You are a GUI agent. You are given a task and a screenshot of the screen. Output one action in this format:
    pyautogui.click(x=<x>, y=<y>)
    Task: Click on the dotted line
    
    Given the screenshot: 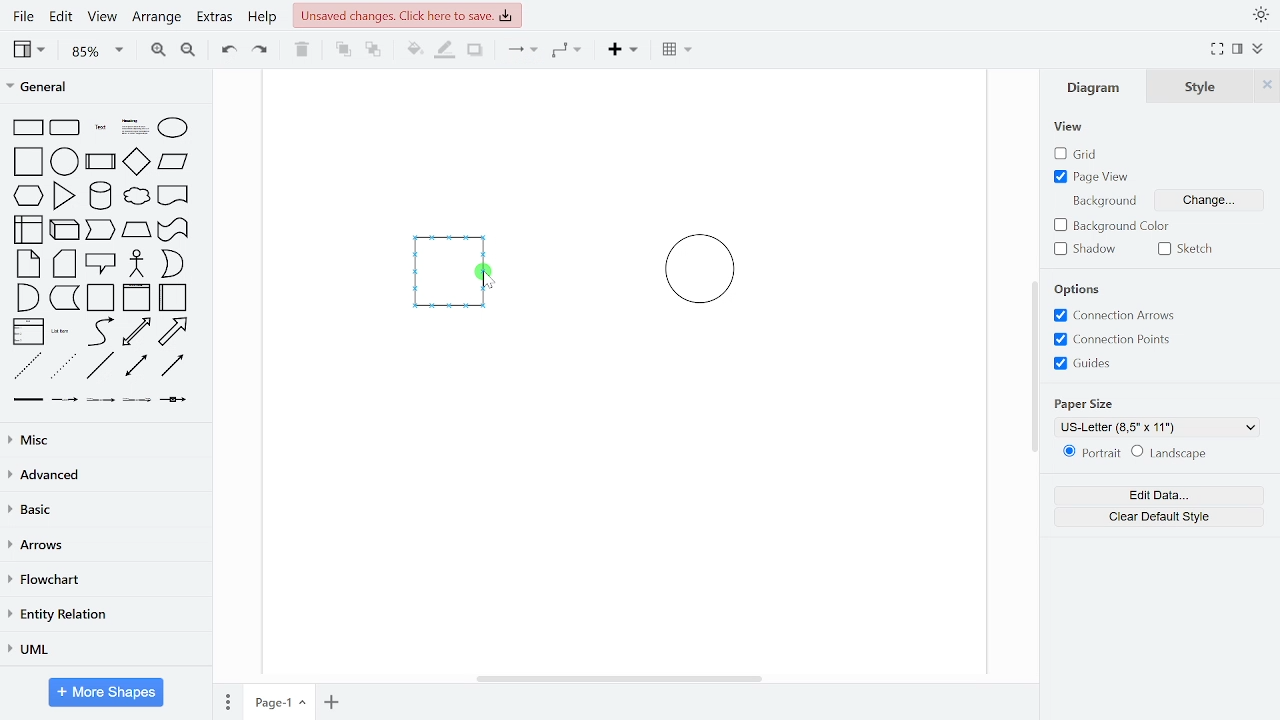 What is the action you would take?
    pyautogui.click(x=63, y=367)
    